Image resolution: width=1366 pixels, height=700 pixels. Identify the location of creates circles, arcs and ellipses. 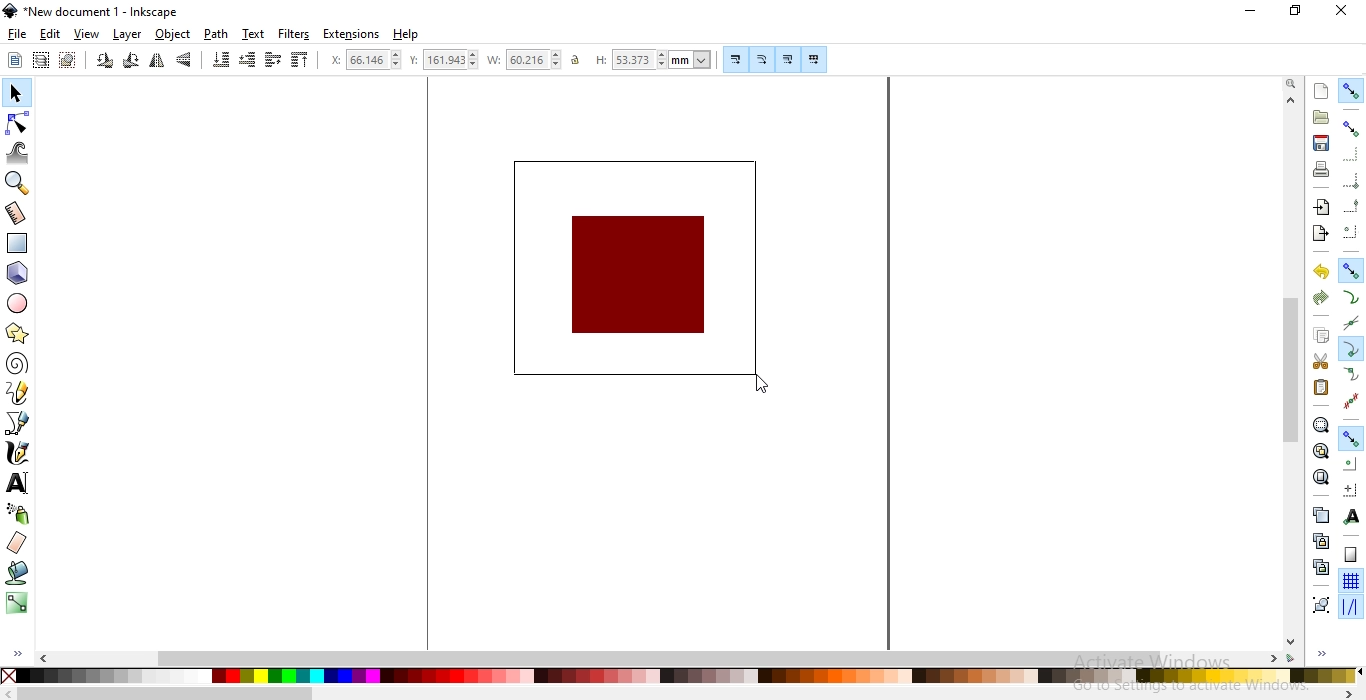
(21, 304).